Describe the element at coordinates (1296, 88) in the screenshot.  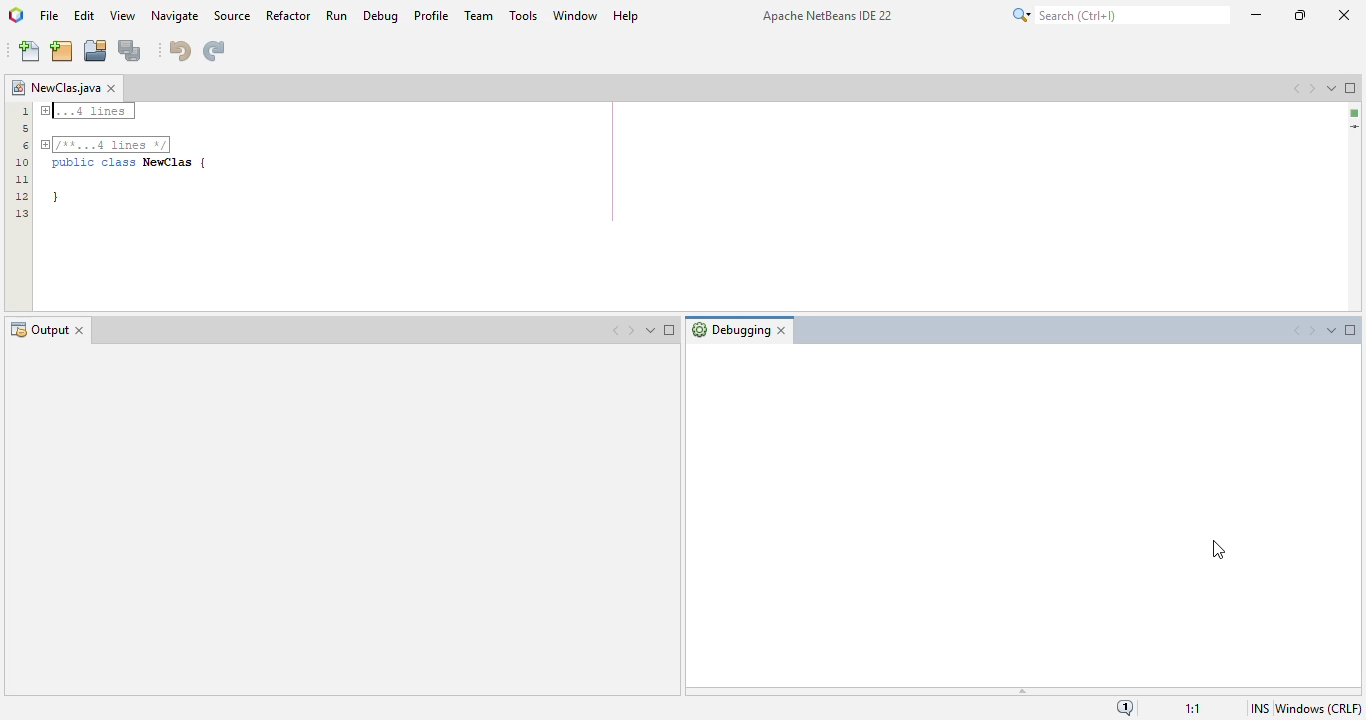
I see `scroll documents left` at that location.